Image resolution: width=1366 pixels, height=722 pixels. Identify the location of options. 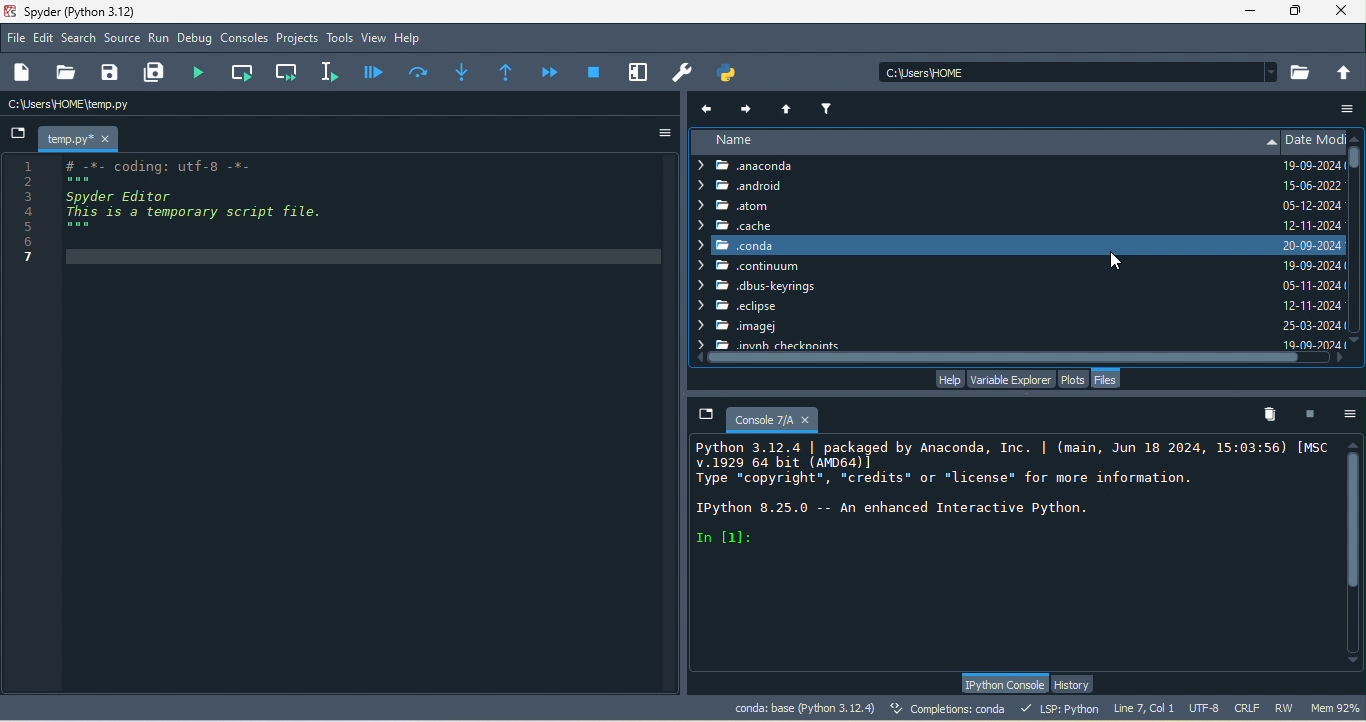
(1351, 413).